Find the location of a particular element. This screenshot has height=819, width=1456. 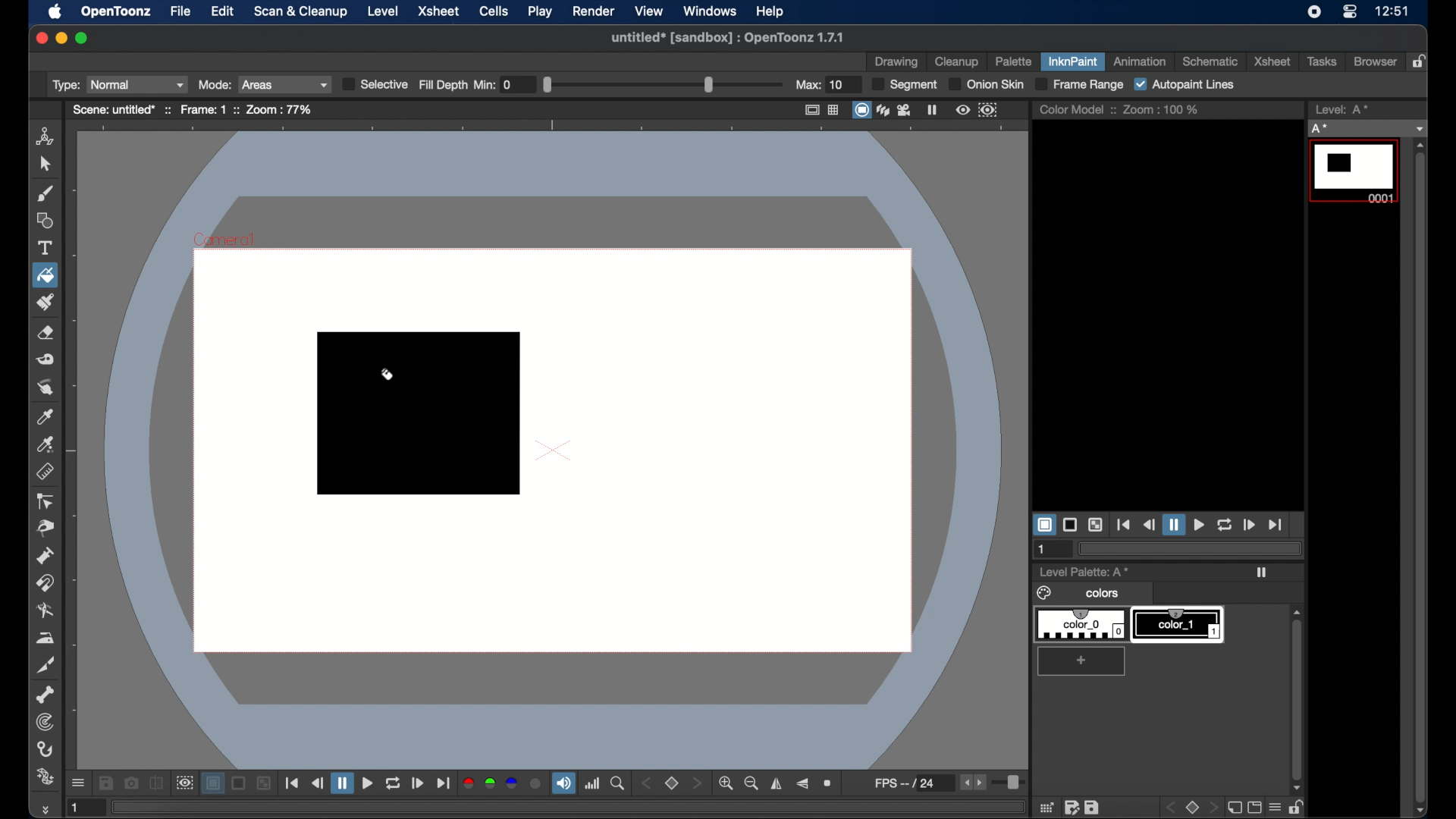

pump tool is located at coordinates (45, 556).